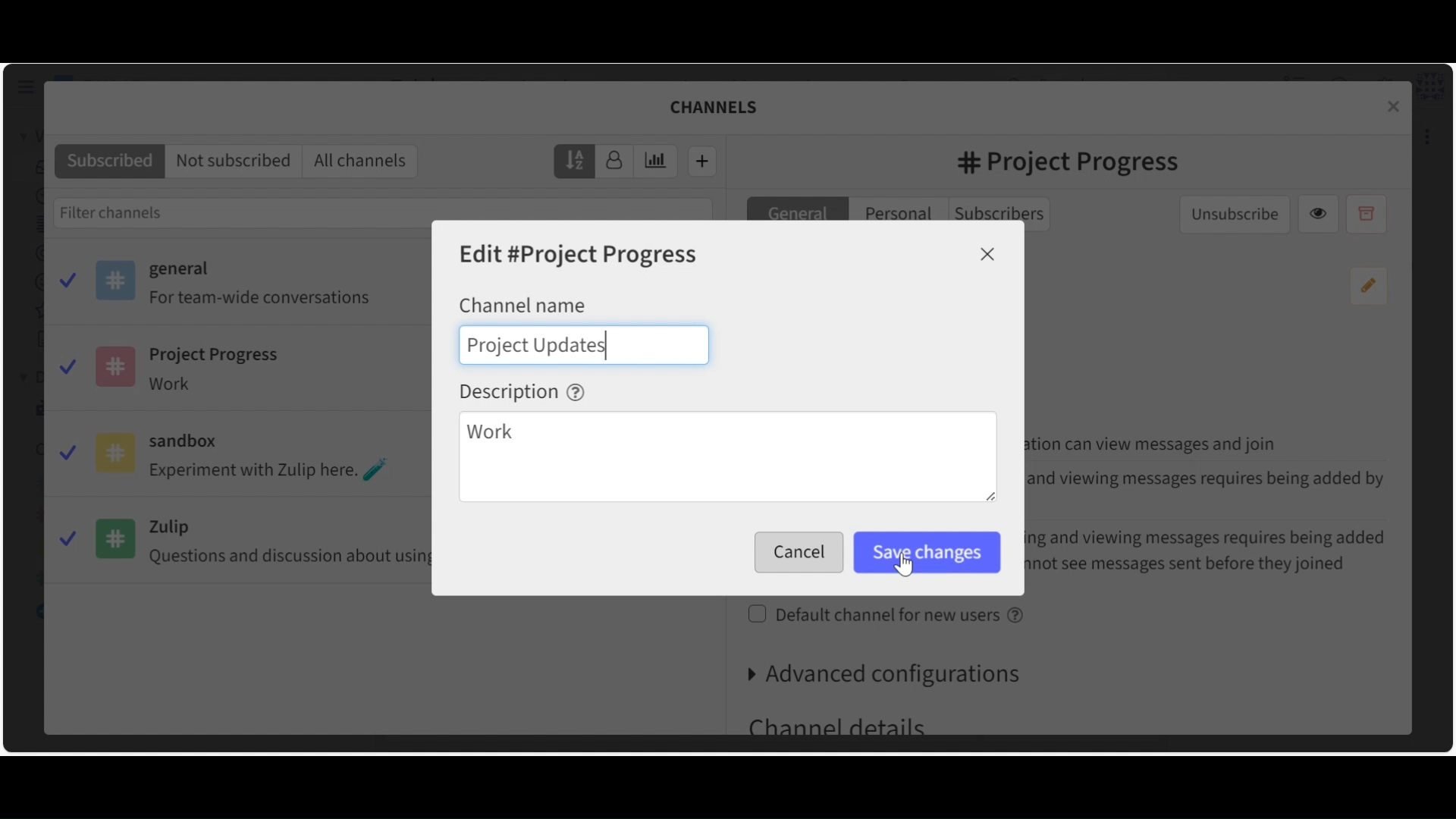  I want to click on Save Changes, so click(927, 553).